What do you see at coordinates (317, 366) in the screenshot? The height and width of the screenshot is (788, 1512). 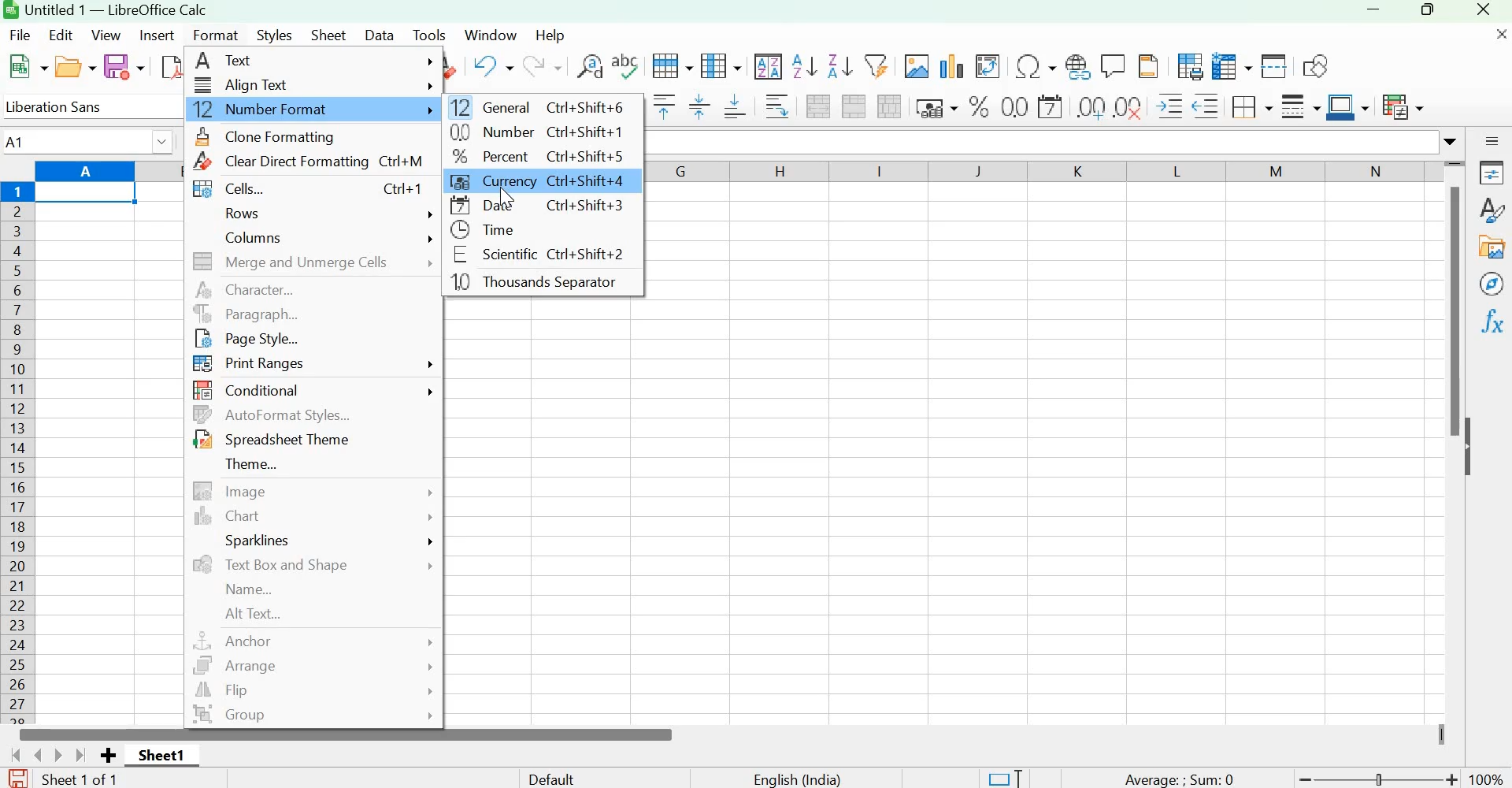 I see `Print Ranges` at bounding box center [317, 366].